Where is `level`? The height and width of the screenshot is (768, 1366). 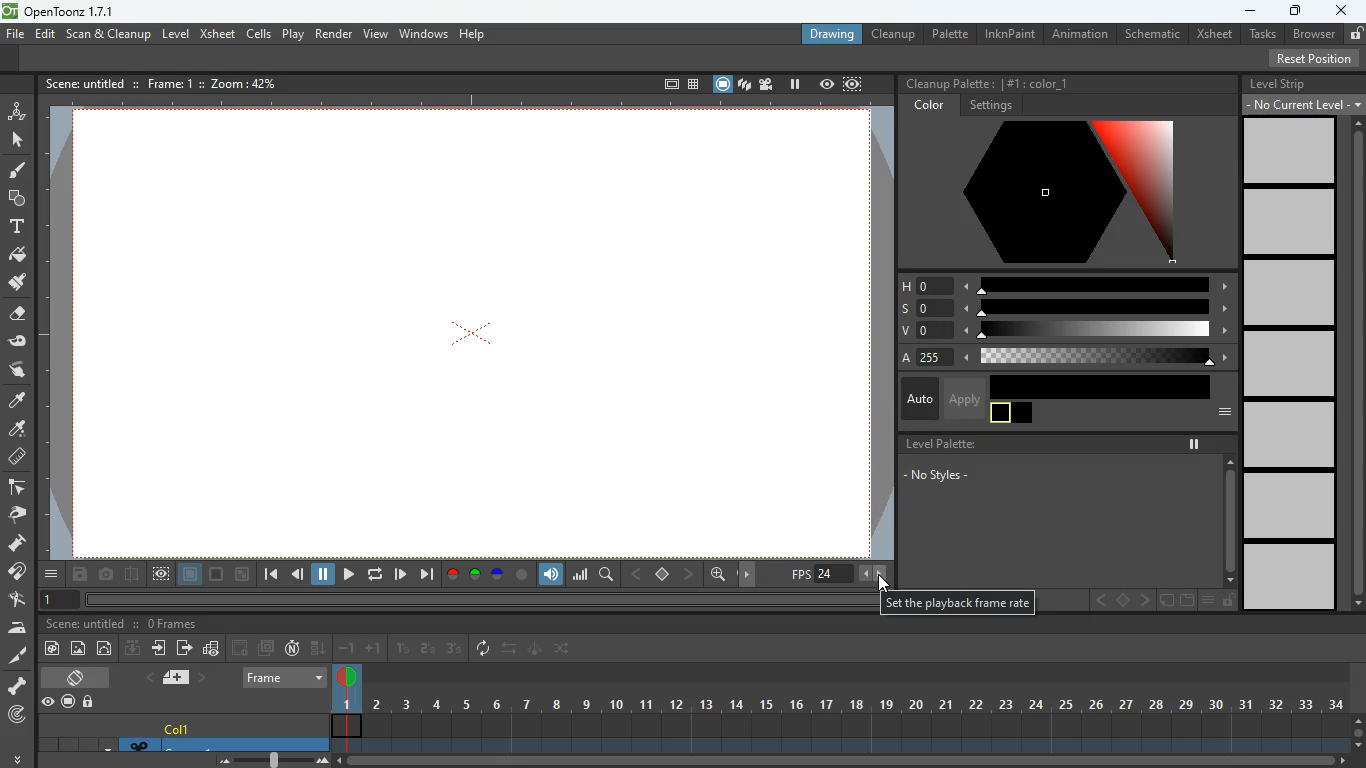
level is located at coordinates (1290, 577).